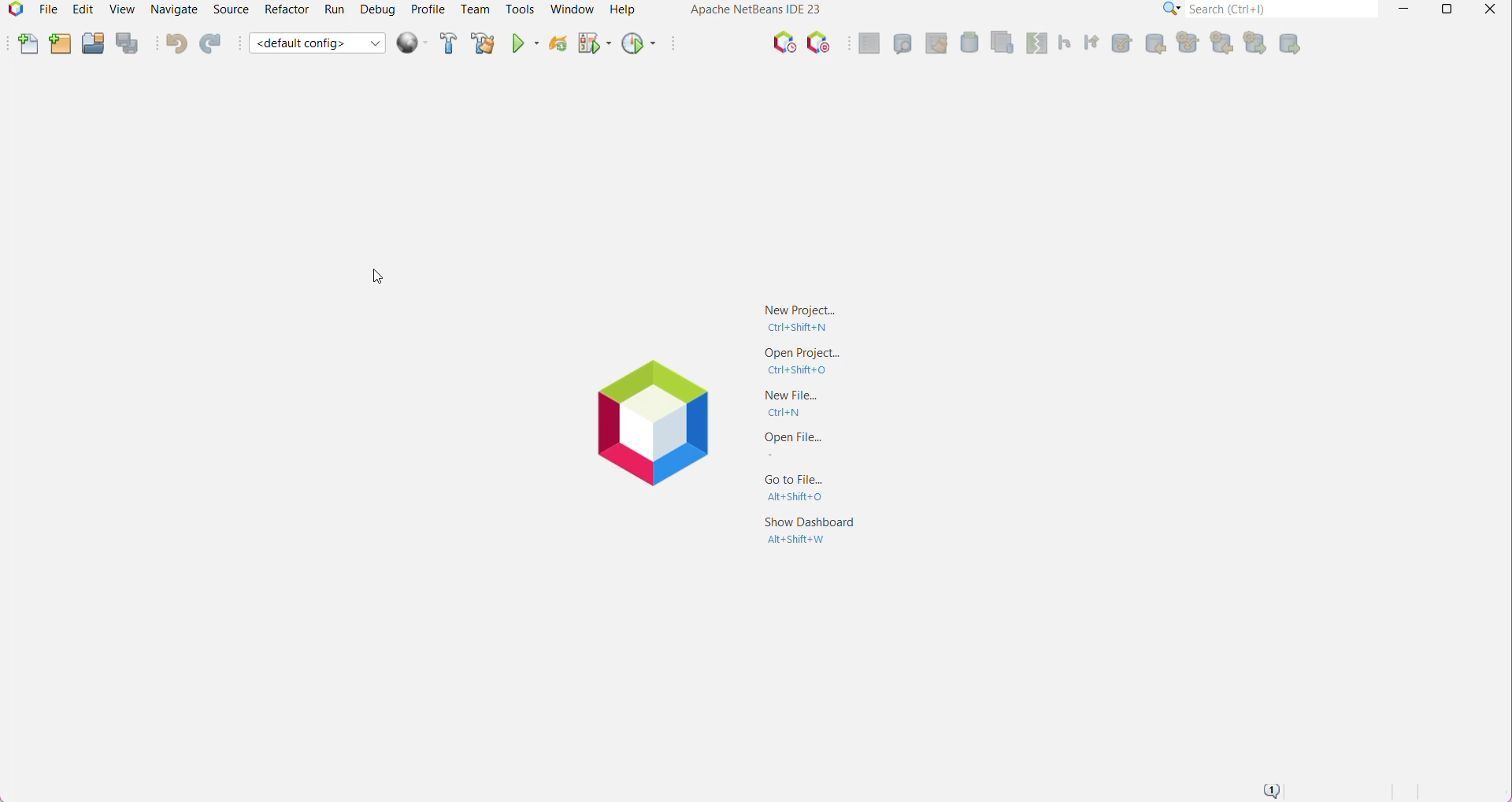 The height and width of the screenshot is (802, 1512). What do you see at coordinates (92, 45) in the screenshot?
I see `Open Project` at bounding box center [92, 45].